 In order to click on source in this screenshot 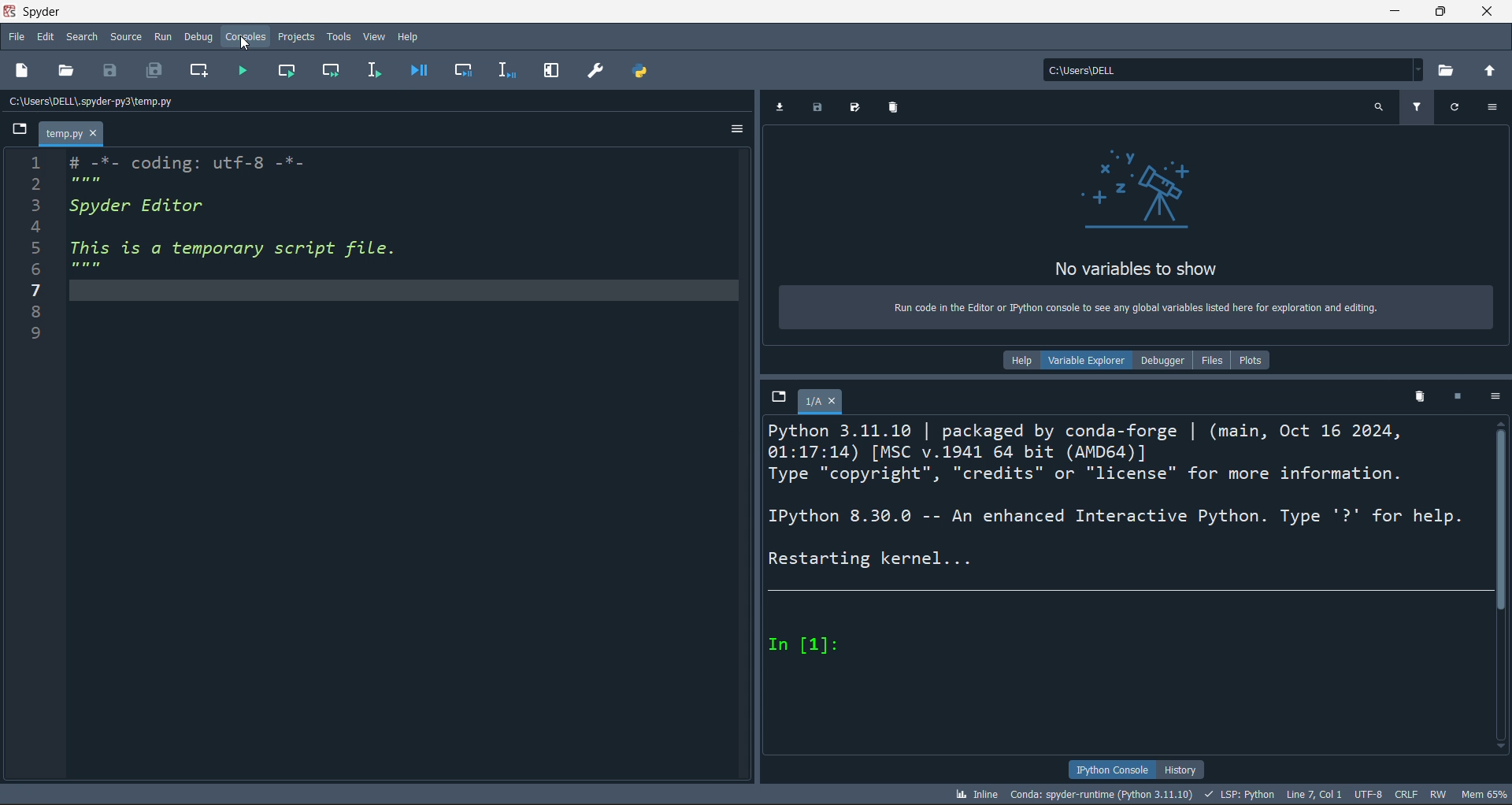, I will do `click(125, 37)`.